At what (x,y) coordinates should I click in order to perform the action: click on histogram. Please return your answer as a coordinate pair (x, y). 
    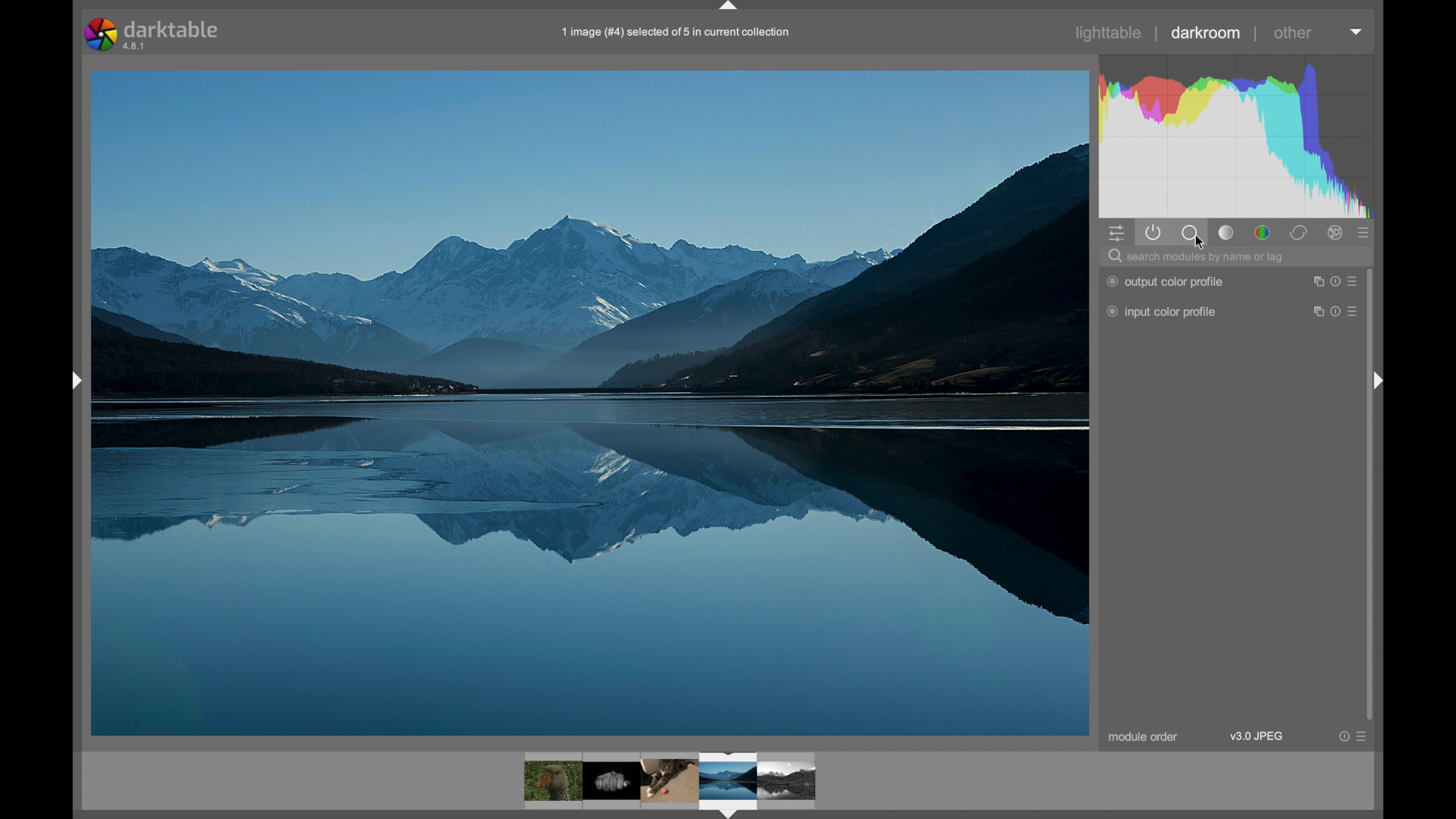
    Looking at the image, I should click on (1235, 135).